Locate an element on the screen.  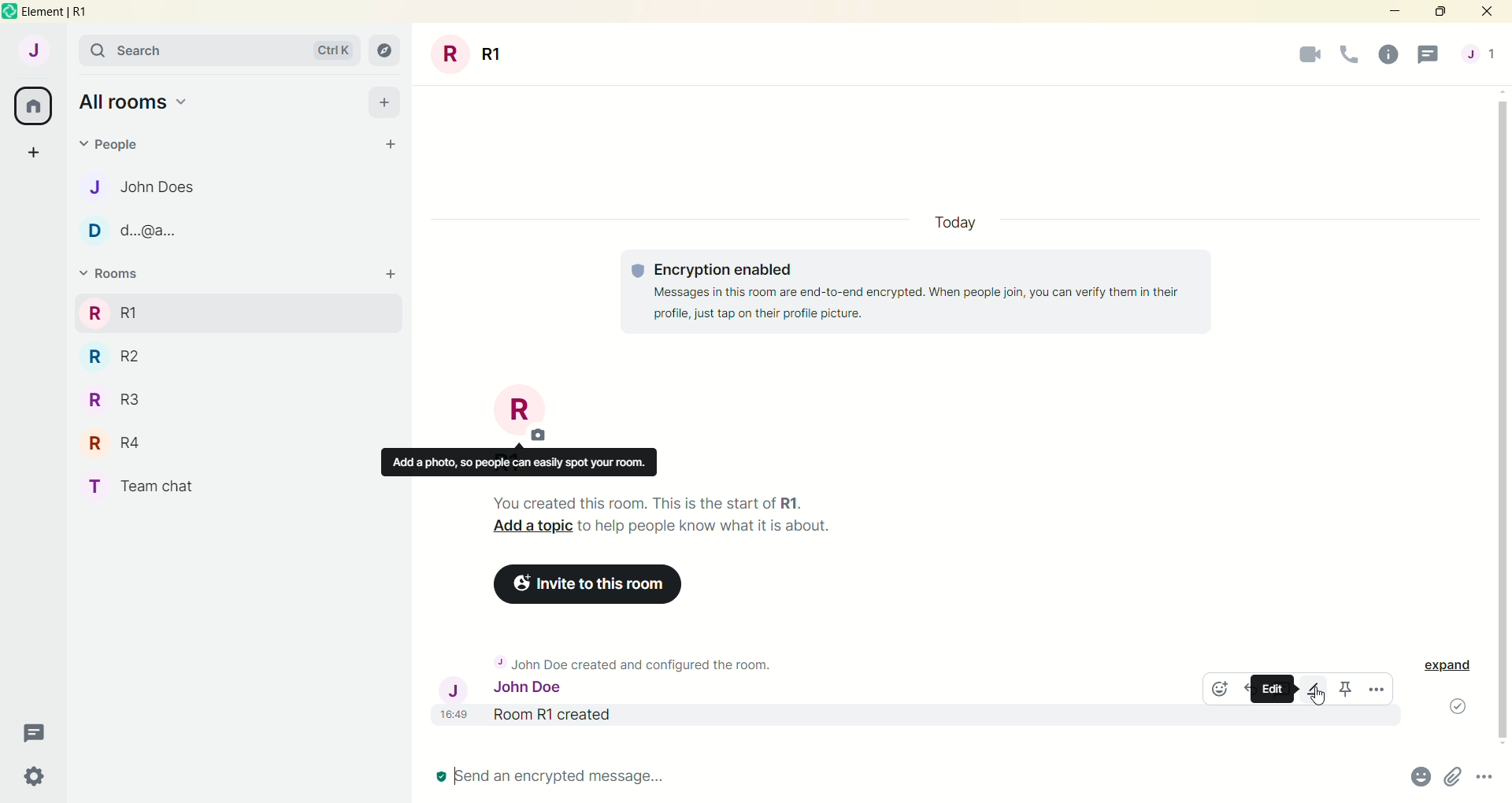
minimize is located at coordinates (1392, 13).